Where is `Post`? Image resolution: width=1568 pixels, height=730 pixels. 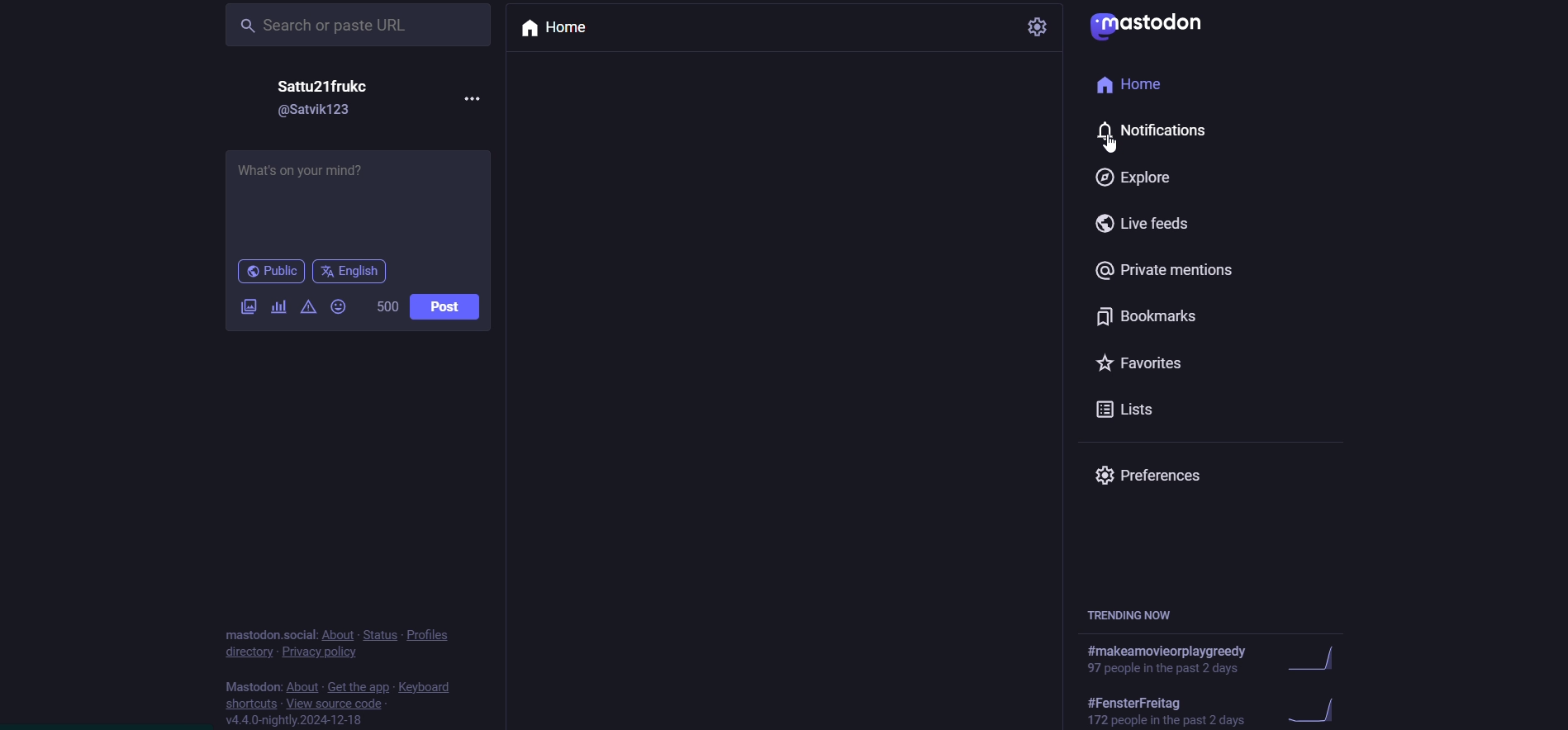 Post is located at coordinates (446, 306).